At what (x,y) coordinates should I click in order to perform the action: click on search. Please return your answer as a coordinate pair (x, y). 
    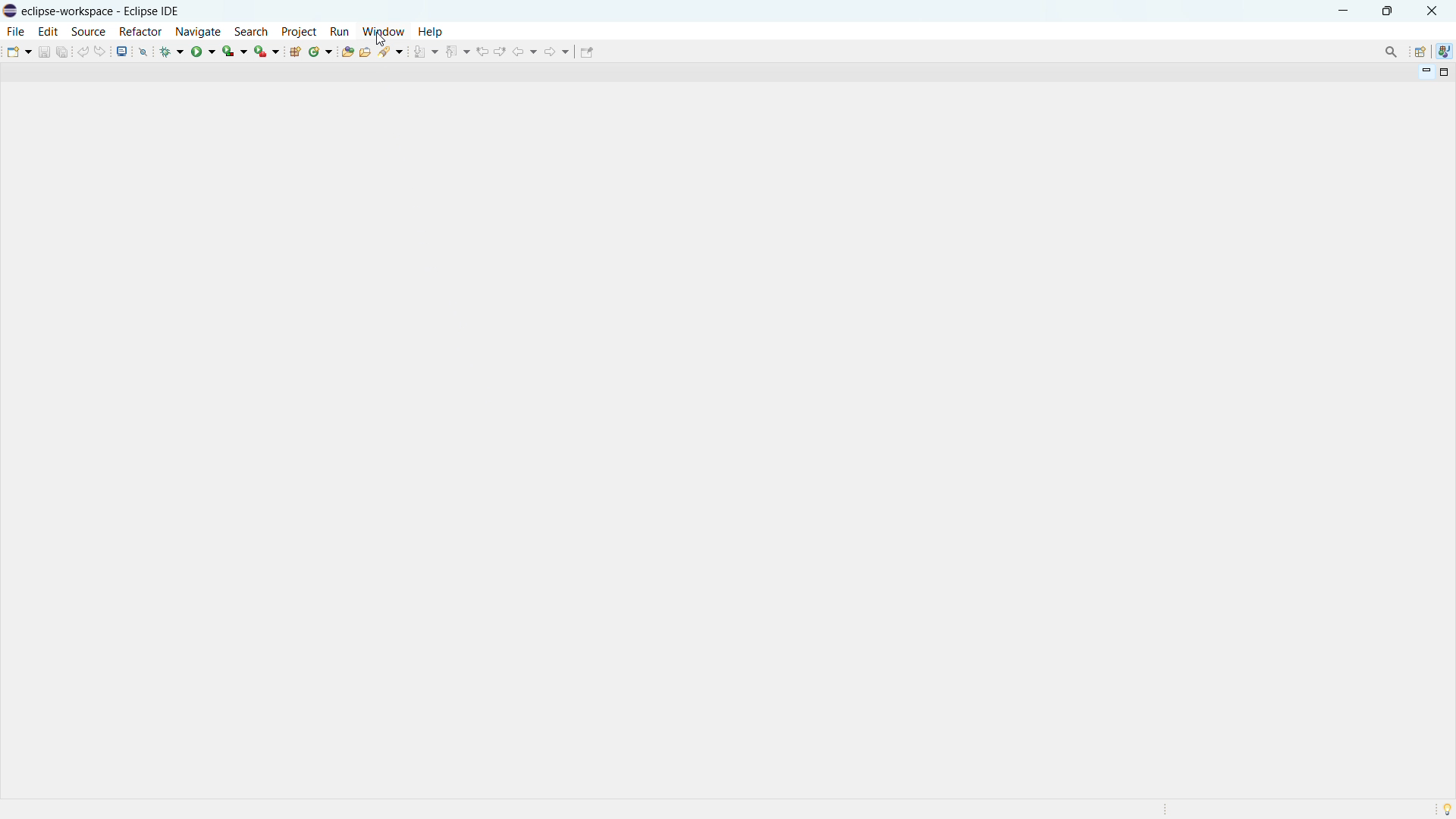
    Looking at the image, I should click on (251, 31).